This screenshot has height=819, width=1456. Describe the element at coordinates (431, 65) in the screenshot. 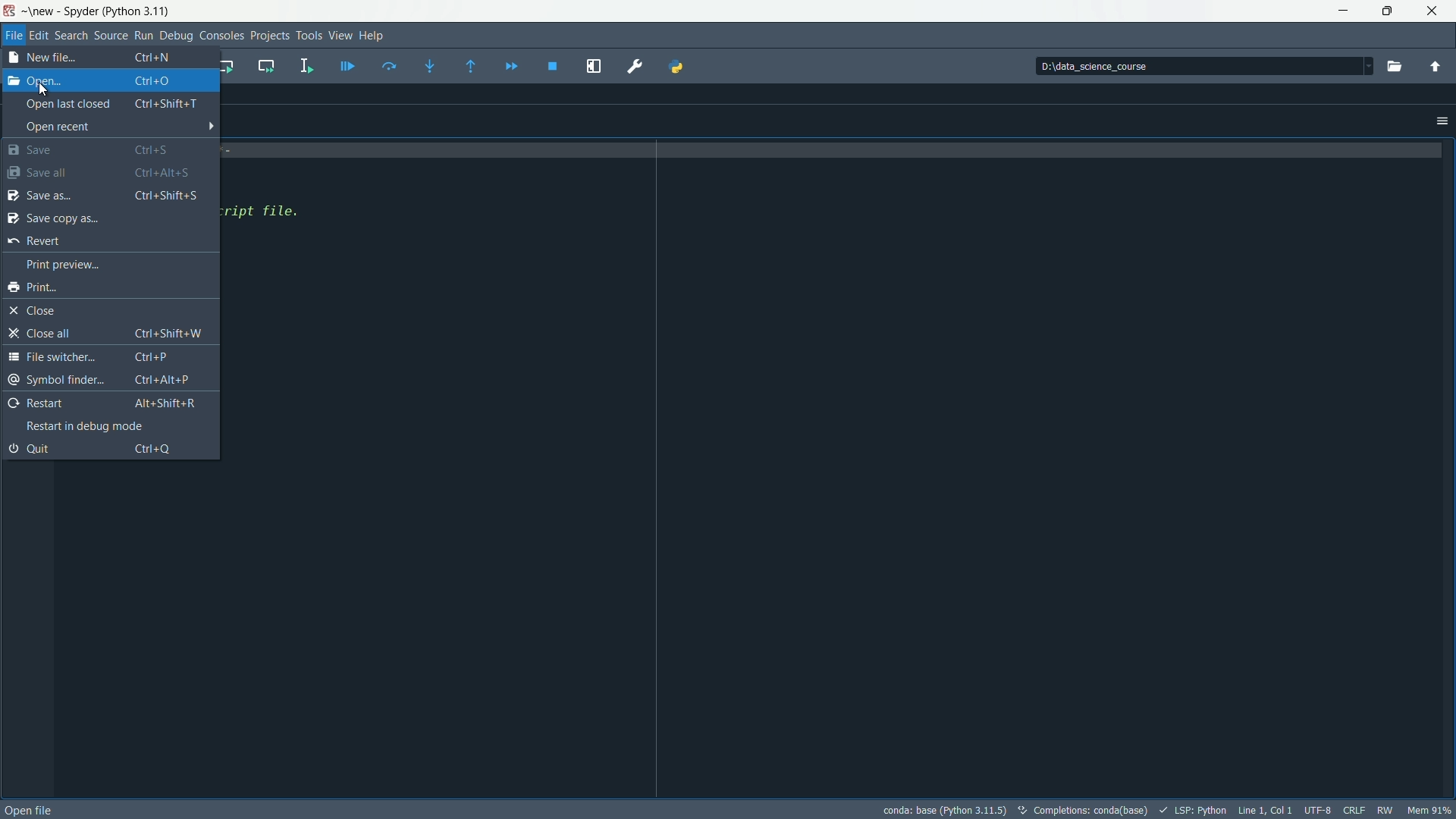

I see `step into function or method` at that location.